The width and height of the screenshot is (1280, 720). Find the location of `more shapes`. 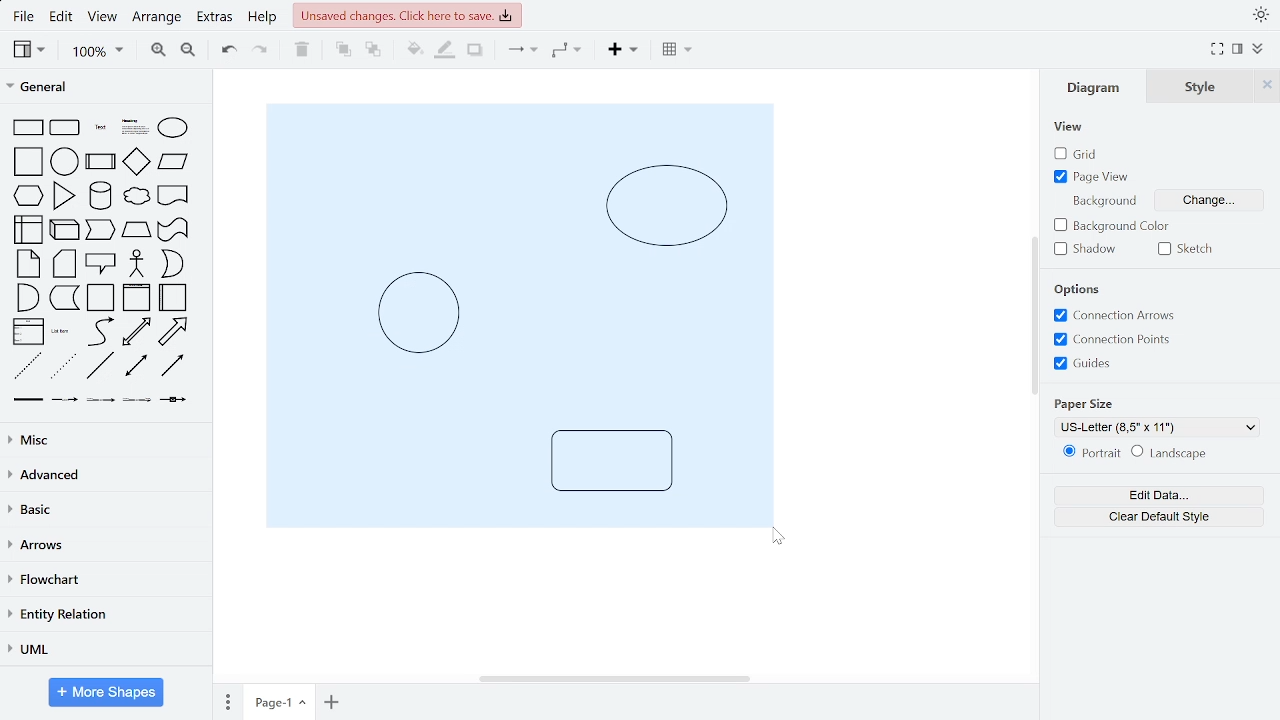

more shapes is located at coordinates (108, 692).